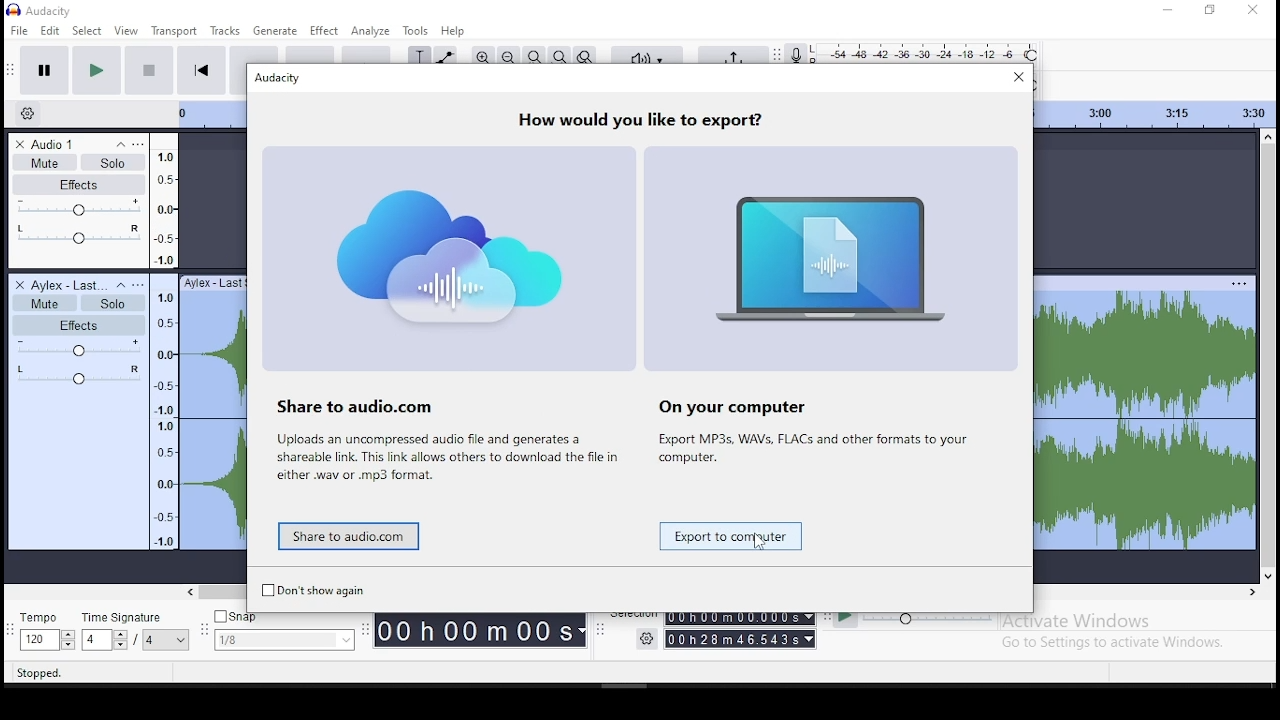 This screenshot has width=1280, height=720. Describe the element at coordinates (19, 143) in the screenshot. I see `delete track` at that location.